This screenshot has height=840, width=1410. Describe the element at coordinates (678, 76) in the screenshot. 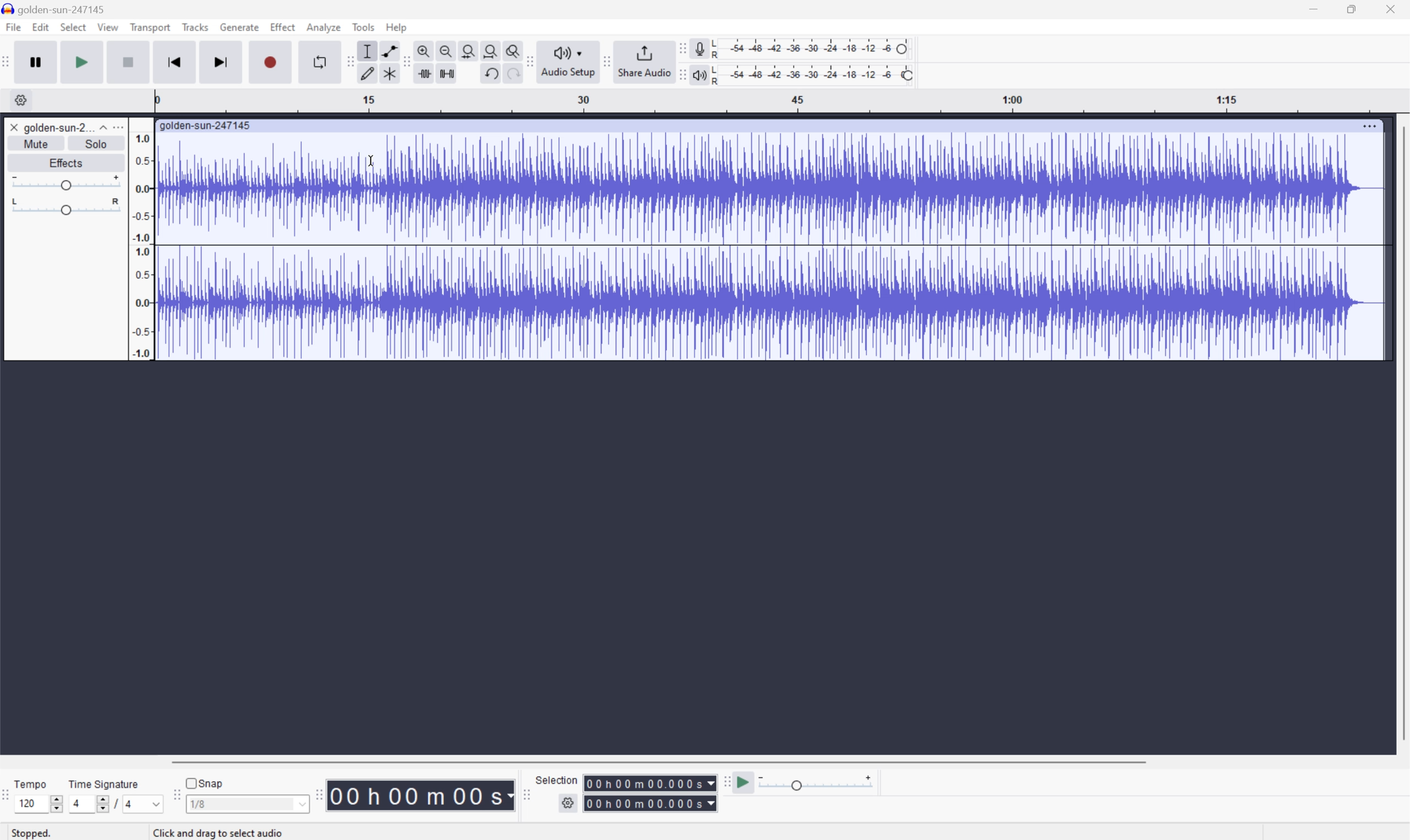

I see `Audacity playback meter toolbar` at that location.